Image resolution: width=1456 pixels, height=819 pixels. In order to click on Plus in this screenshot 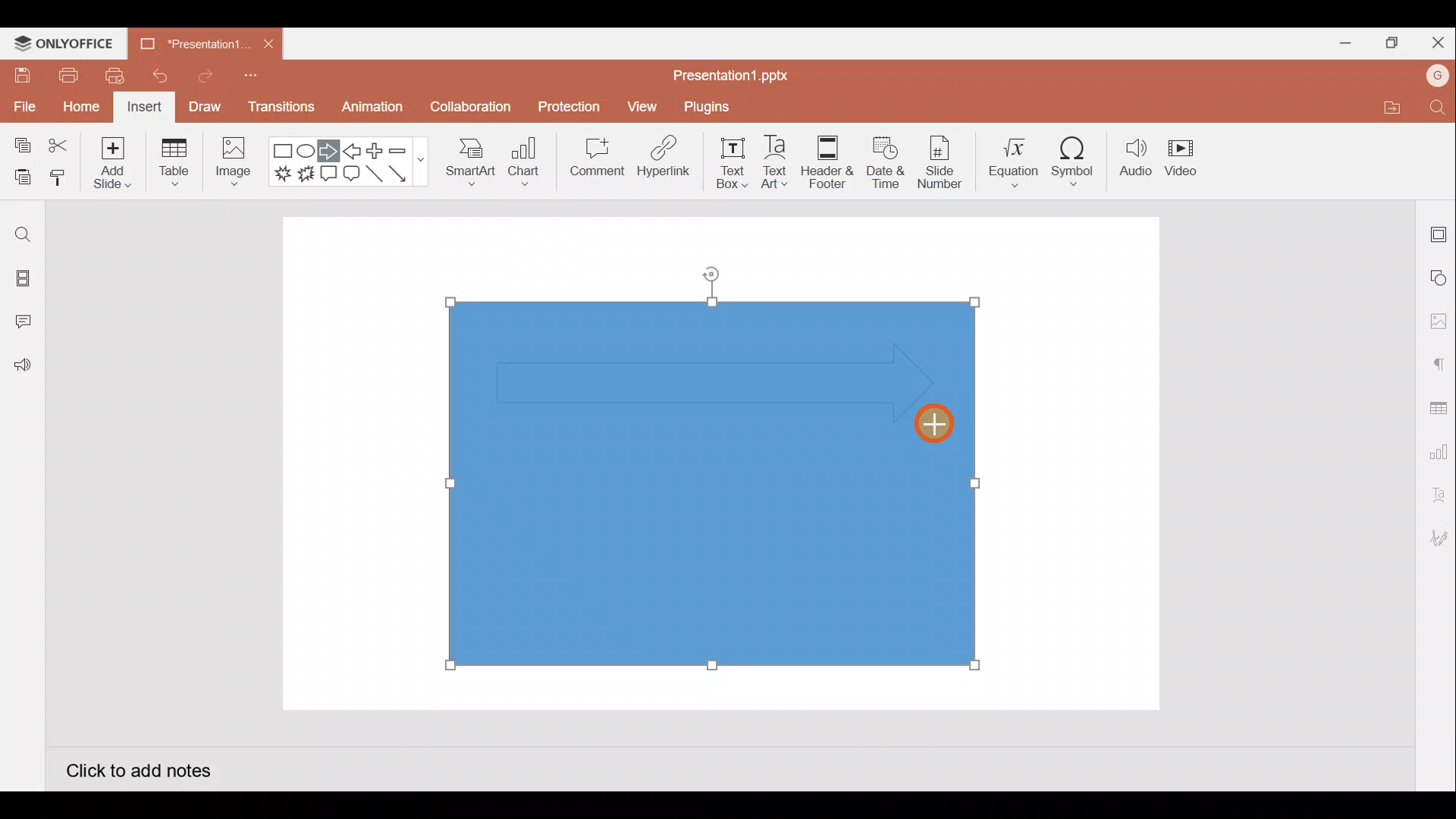, I will do `click(378, 151)`.